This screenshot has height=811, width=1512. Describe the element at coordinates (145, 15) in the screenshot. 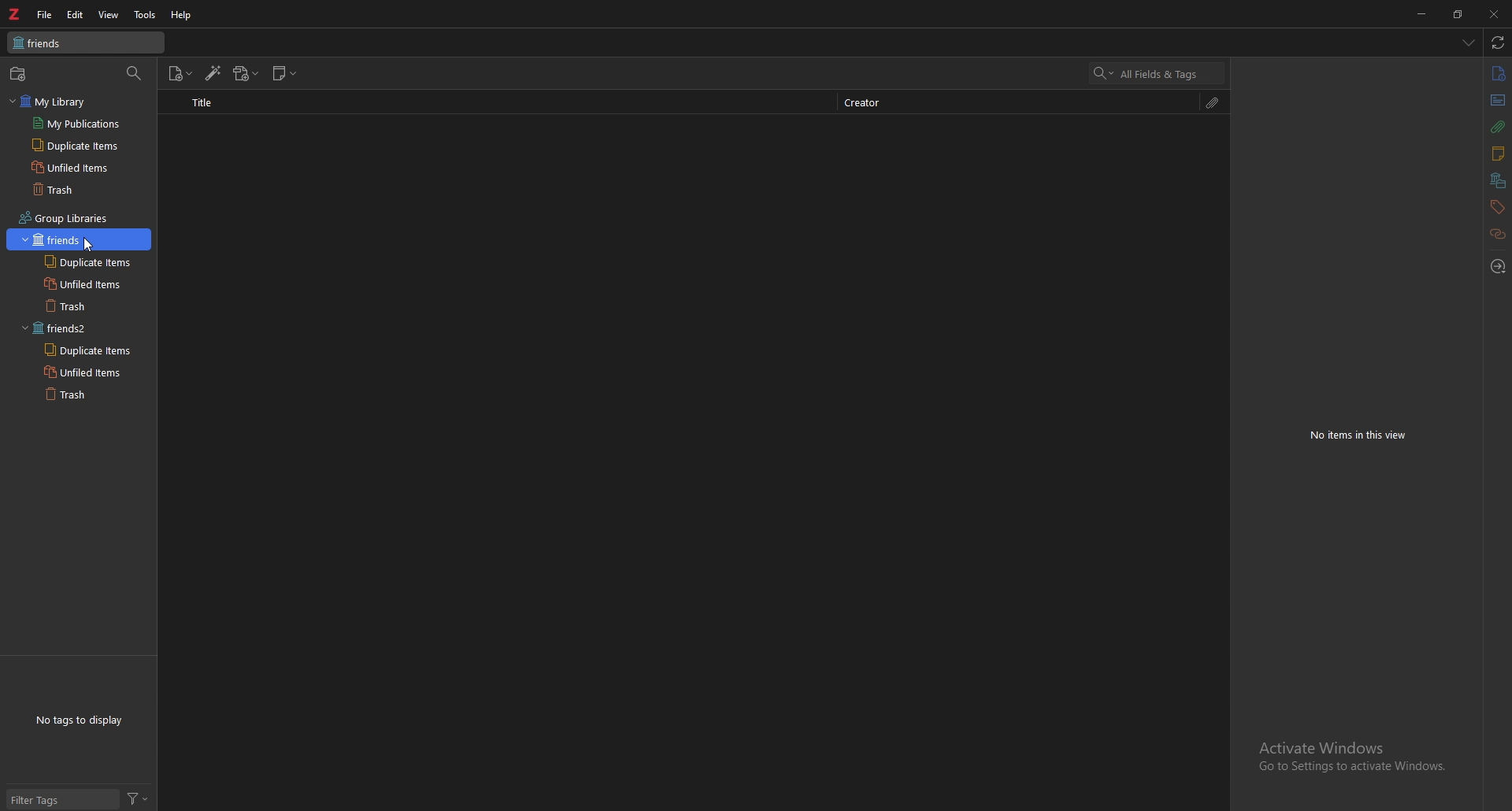

I see `tools` at that location.